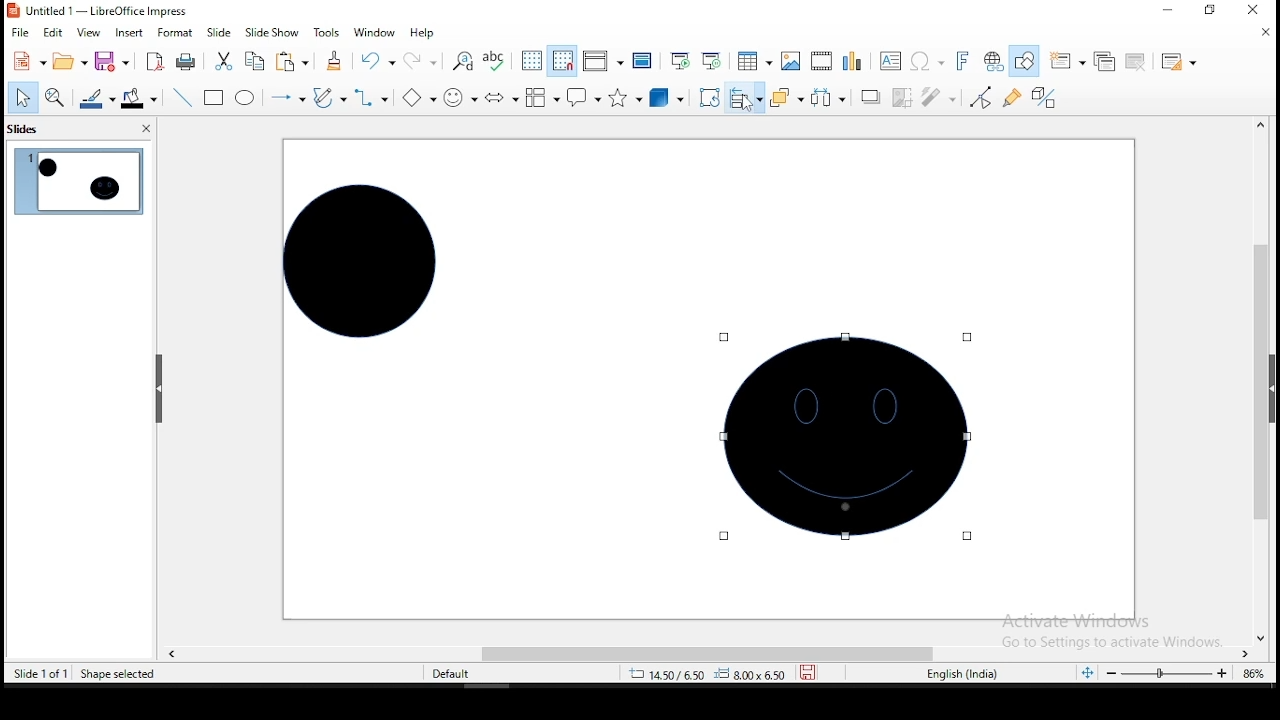  Describe the element at coordinates (372, 97) in the screenshot. I see `connectors` at that location.